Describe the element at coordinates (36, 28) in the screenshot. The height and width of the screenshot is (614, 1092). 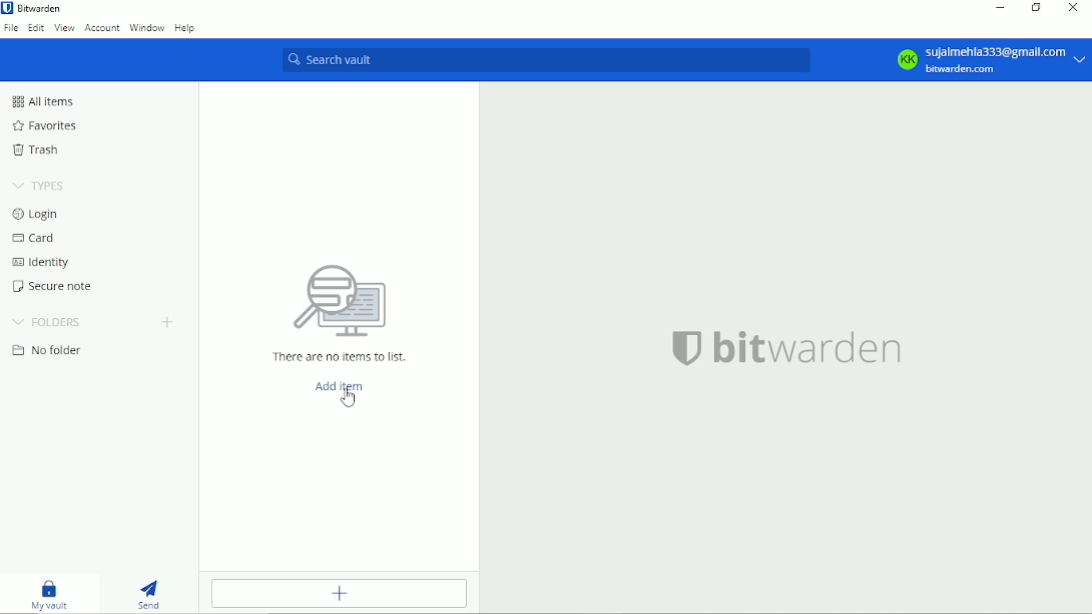
I see `Edit` at that location.